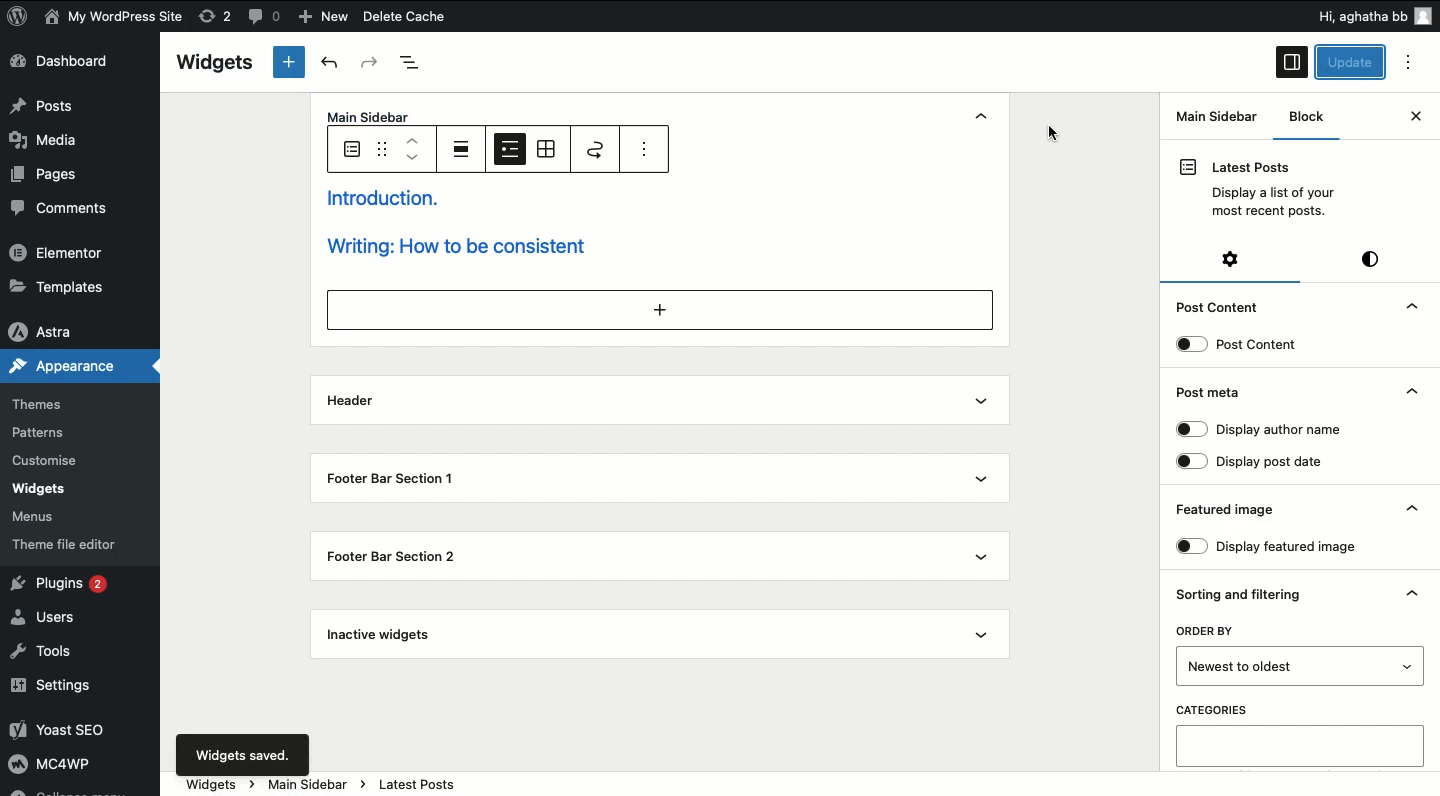 The image size is (1440, 796). Describe the element at coordinates (1298, 747) in the screenshot. I see `Categories` at that location.